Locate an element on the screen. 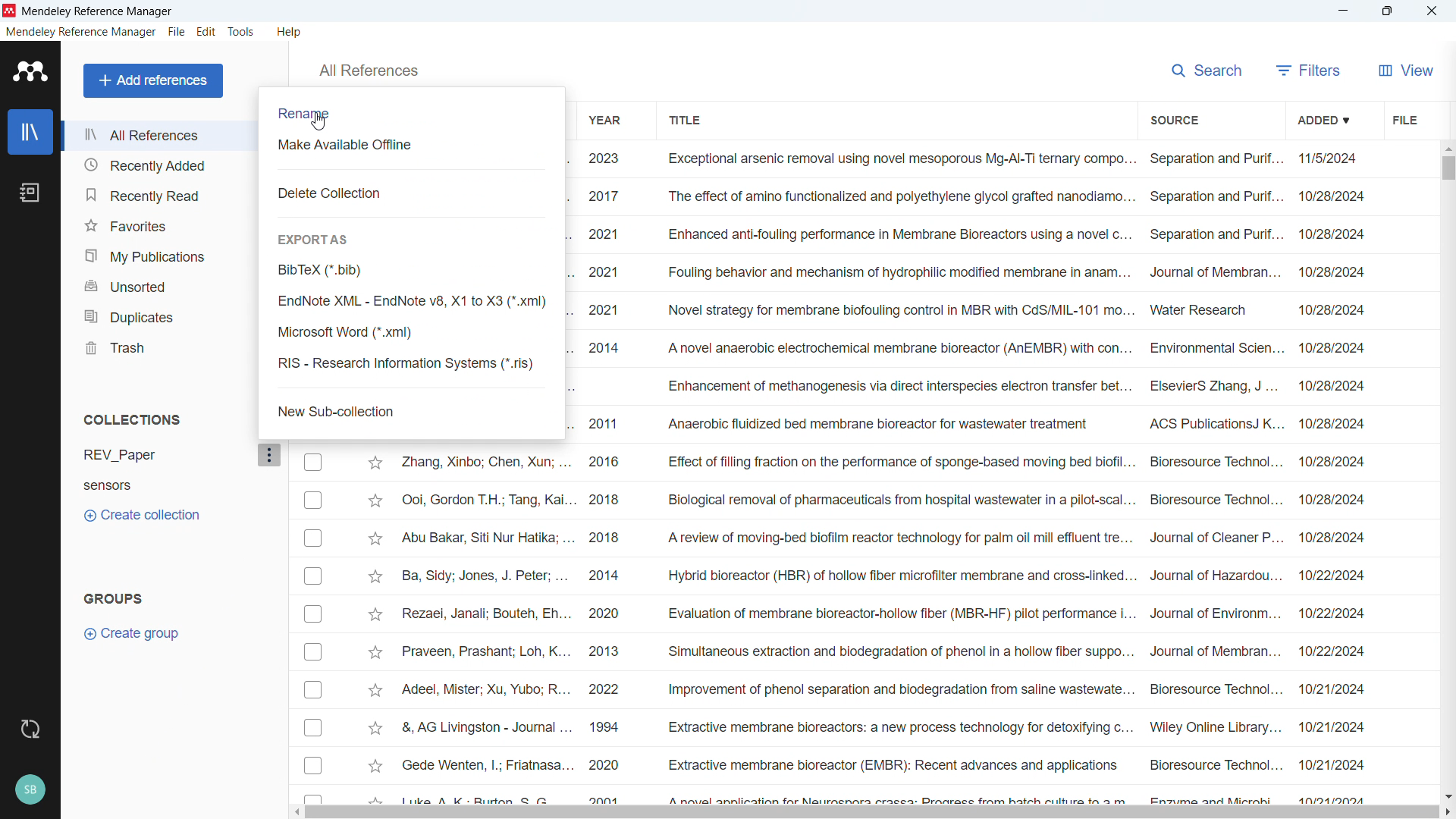 Image resolution: width=1456 pixels, height=819 pixels. My publications  is located at coordinates (161, 255).